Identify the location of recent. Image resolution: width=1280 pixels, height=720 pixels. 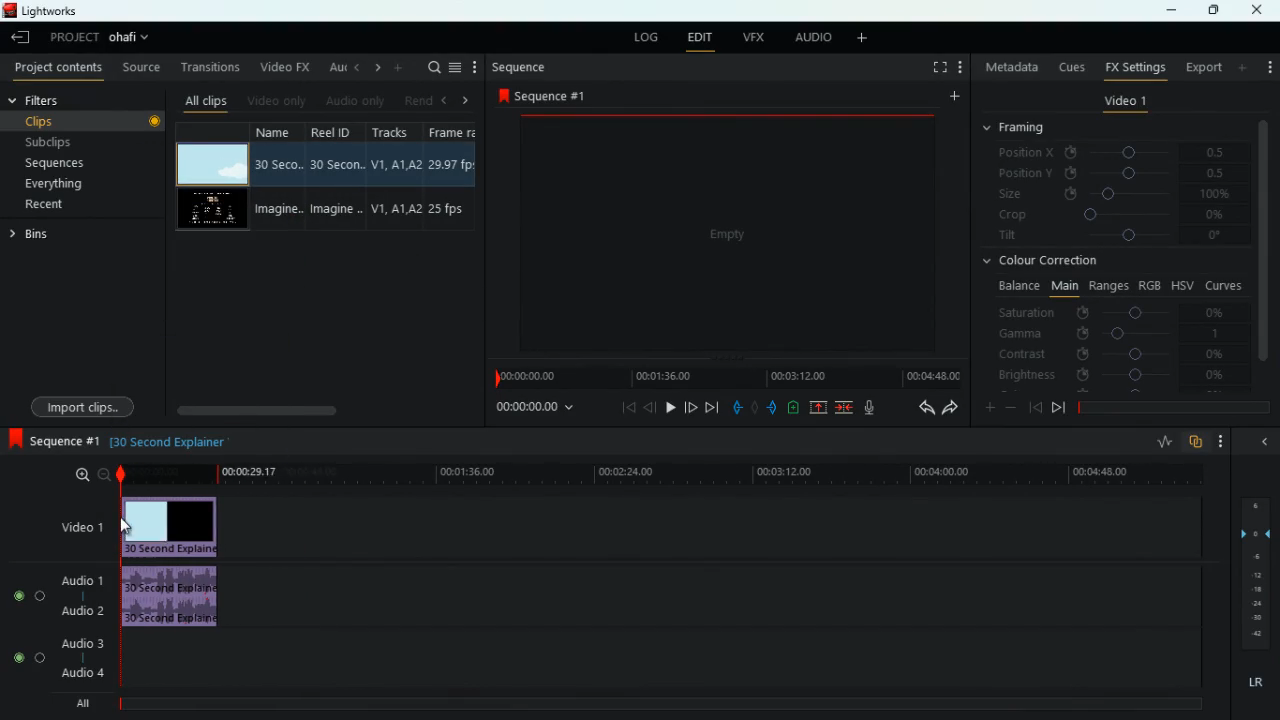
(47, 206).